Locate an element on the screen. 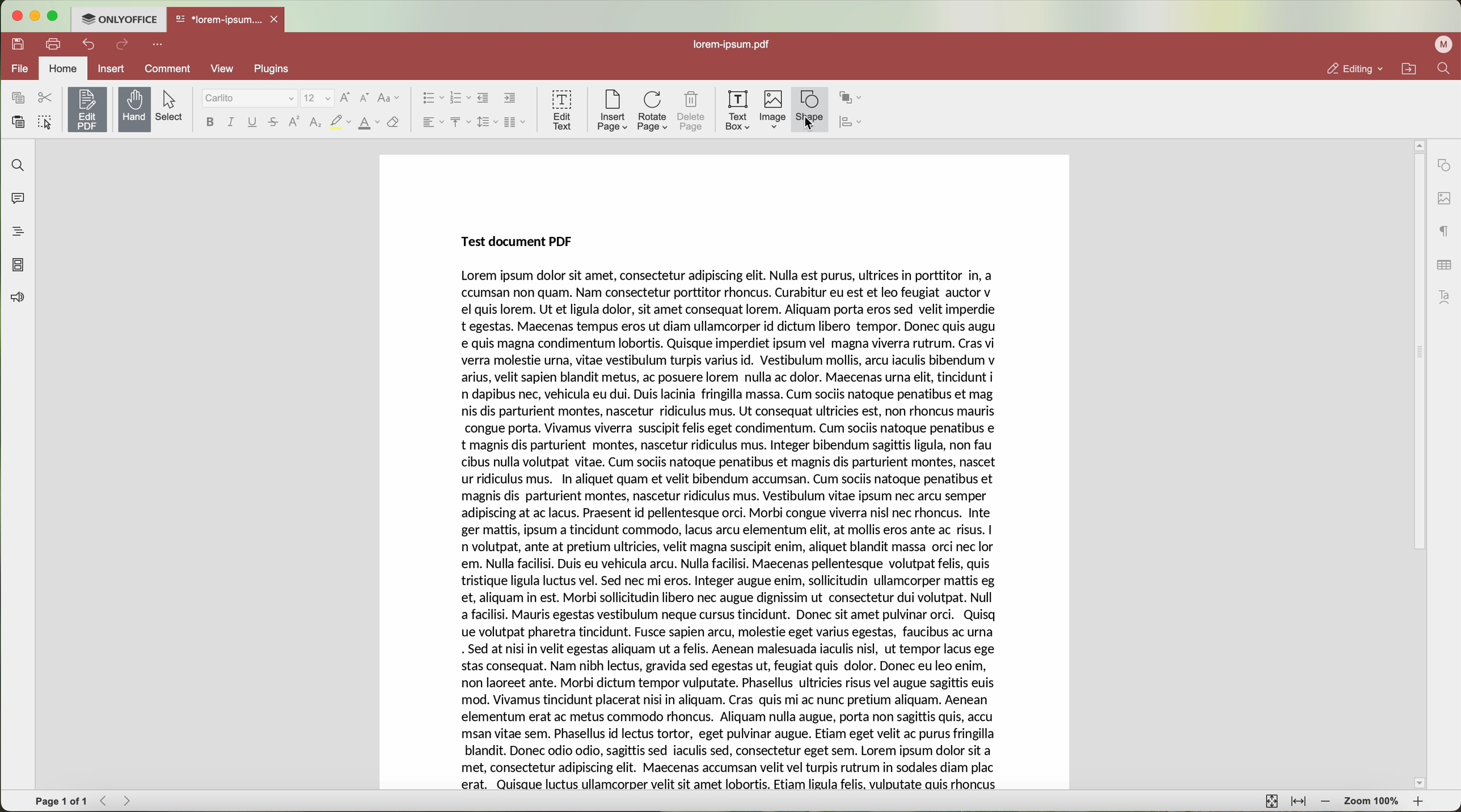  minimize is located at coordinates (36, 16).